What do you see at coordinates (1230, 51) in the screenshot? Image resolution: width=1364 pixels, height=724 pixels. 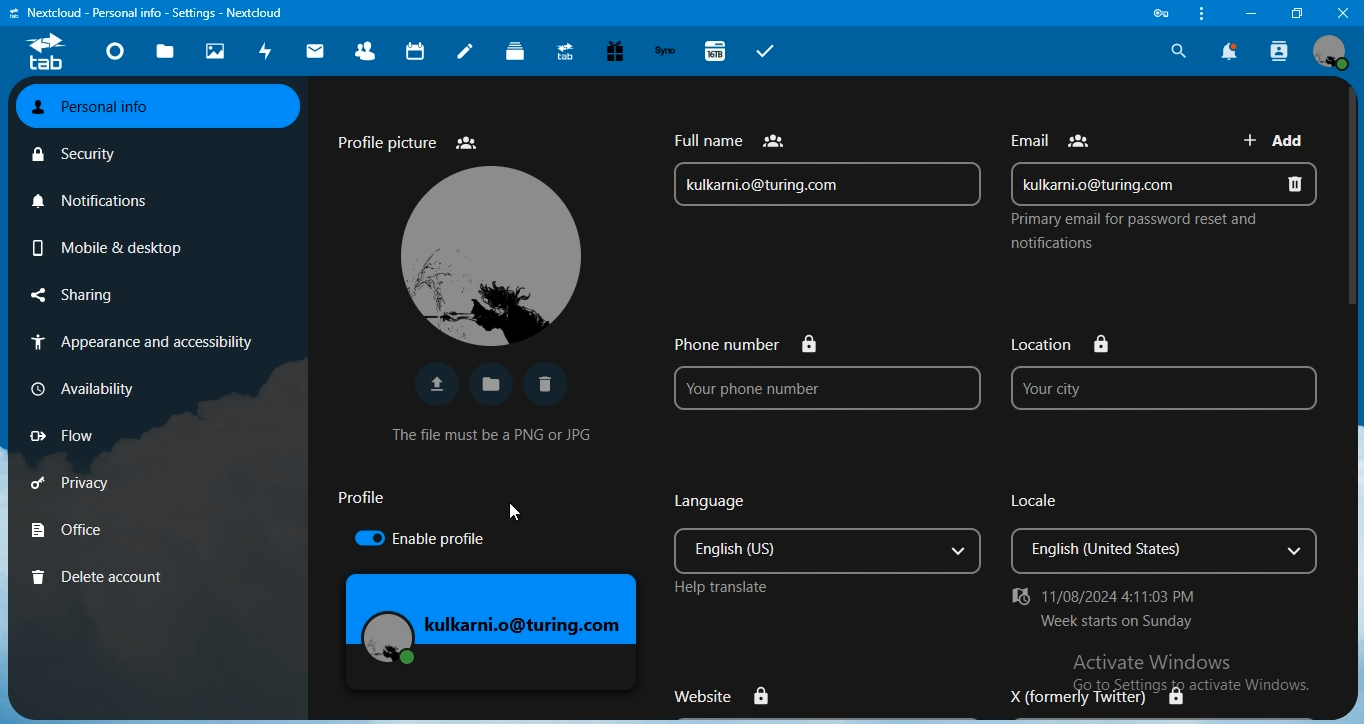 I see `notification` at bounding box center [1230, 51].